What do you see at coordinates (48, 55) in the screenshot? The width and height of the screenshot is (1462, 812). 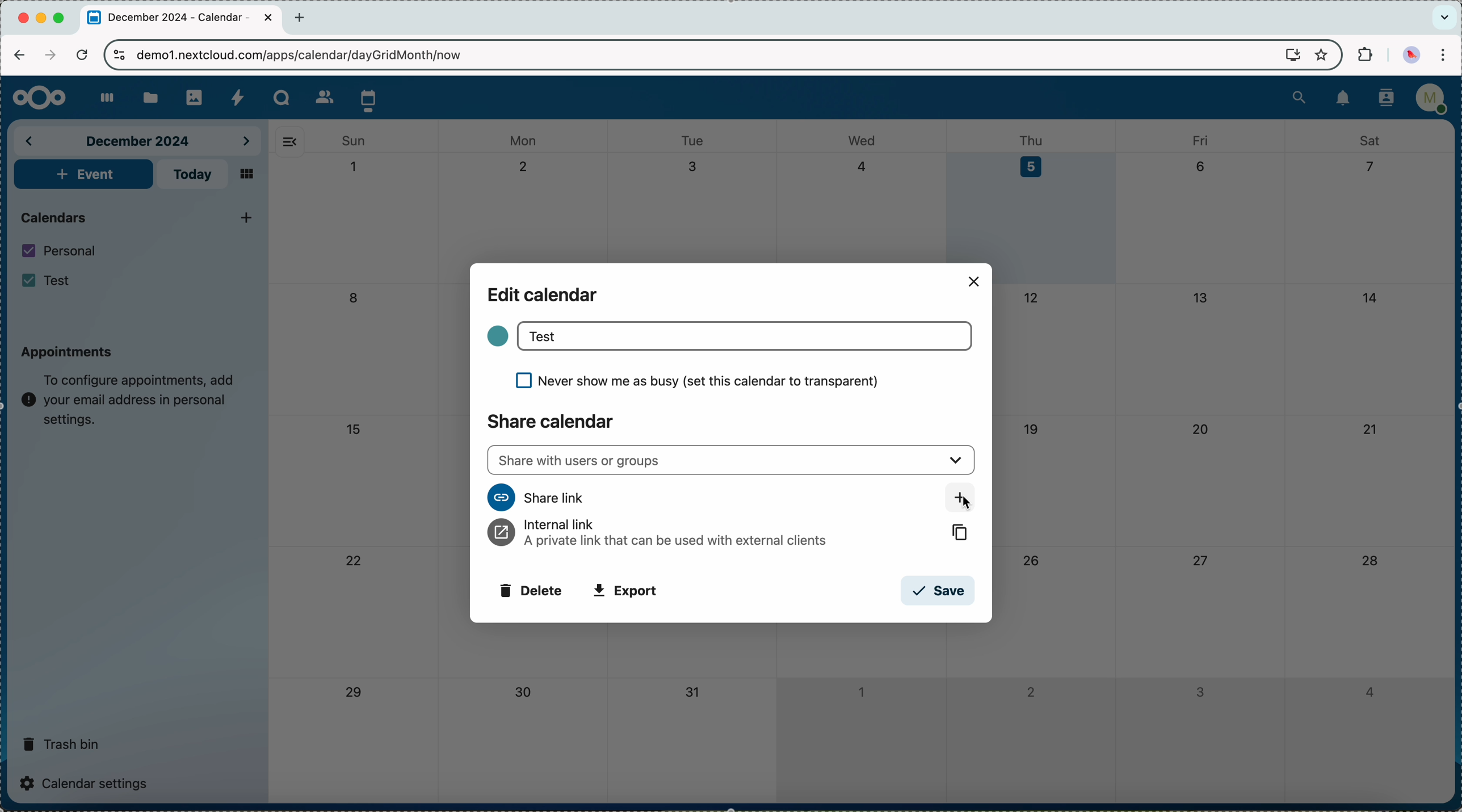 I see `navigate foward` at bounding box center [48, 55].